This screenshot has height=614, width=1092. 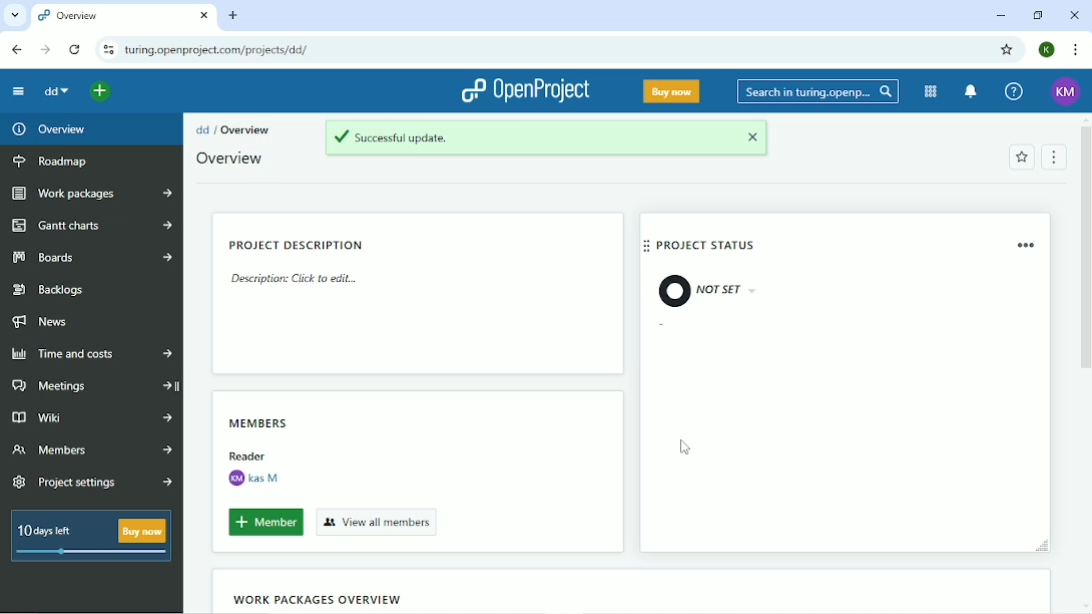 What do you see at coordinates (232, 159) in the screenshot?
I see `Overview` at bounding box center [232, 159].